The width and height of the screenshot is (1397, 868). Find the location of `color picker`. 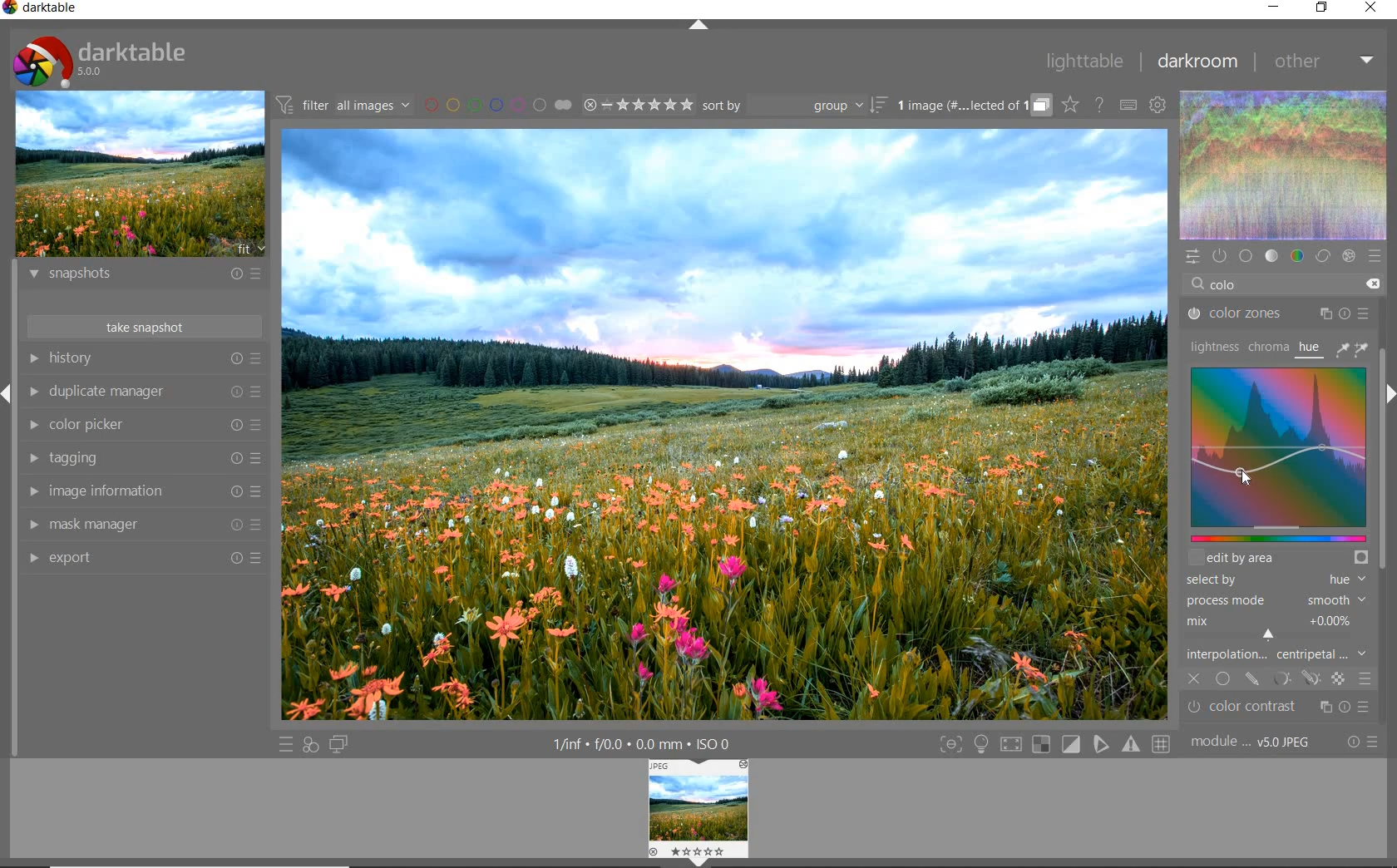

color picker is located at coordinates (144, 424).